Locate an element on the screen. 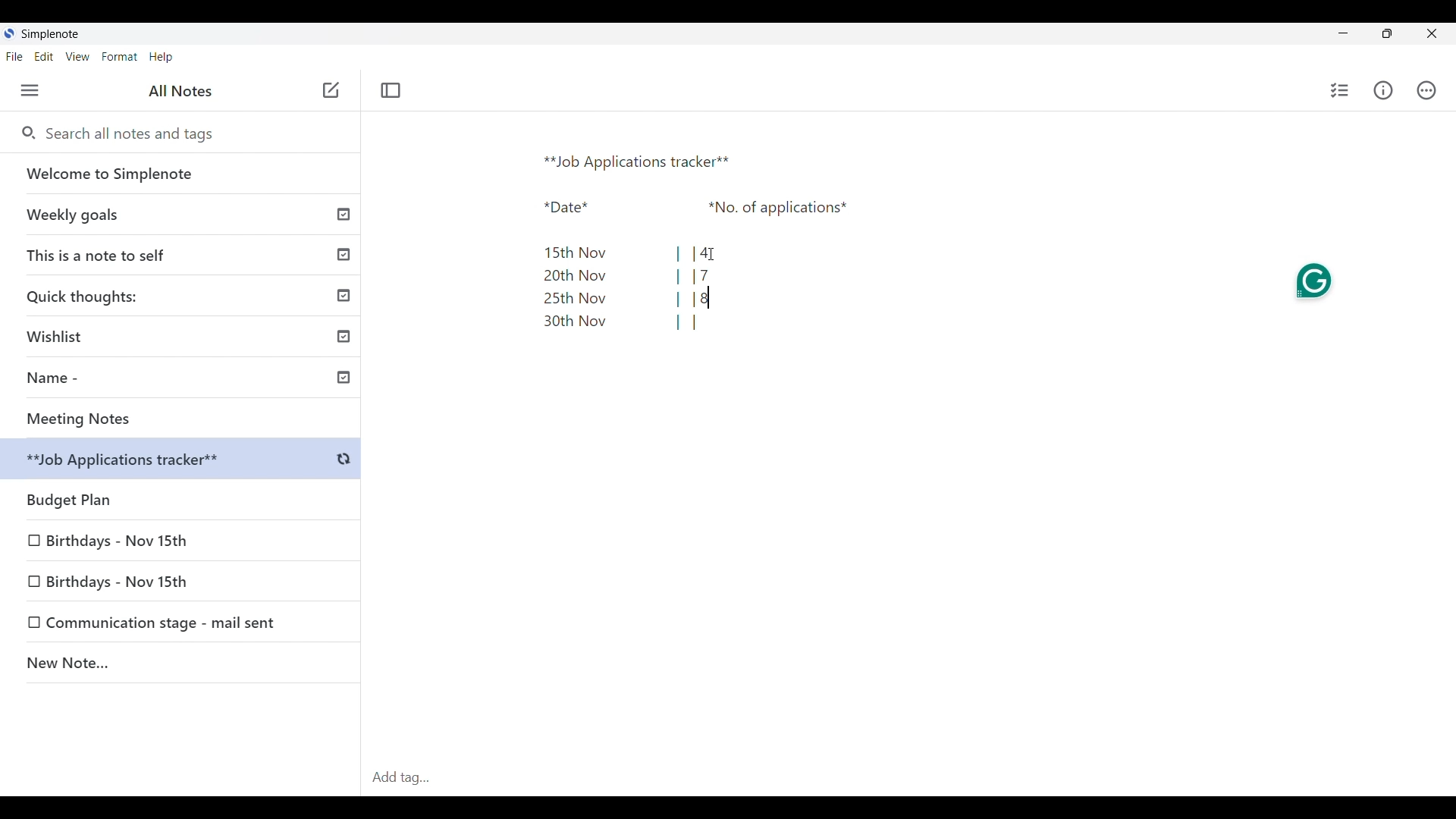  Birthdays - Nov 15th is located at coordinates (119, 538).